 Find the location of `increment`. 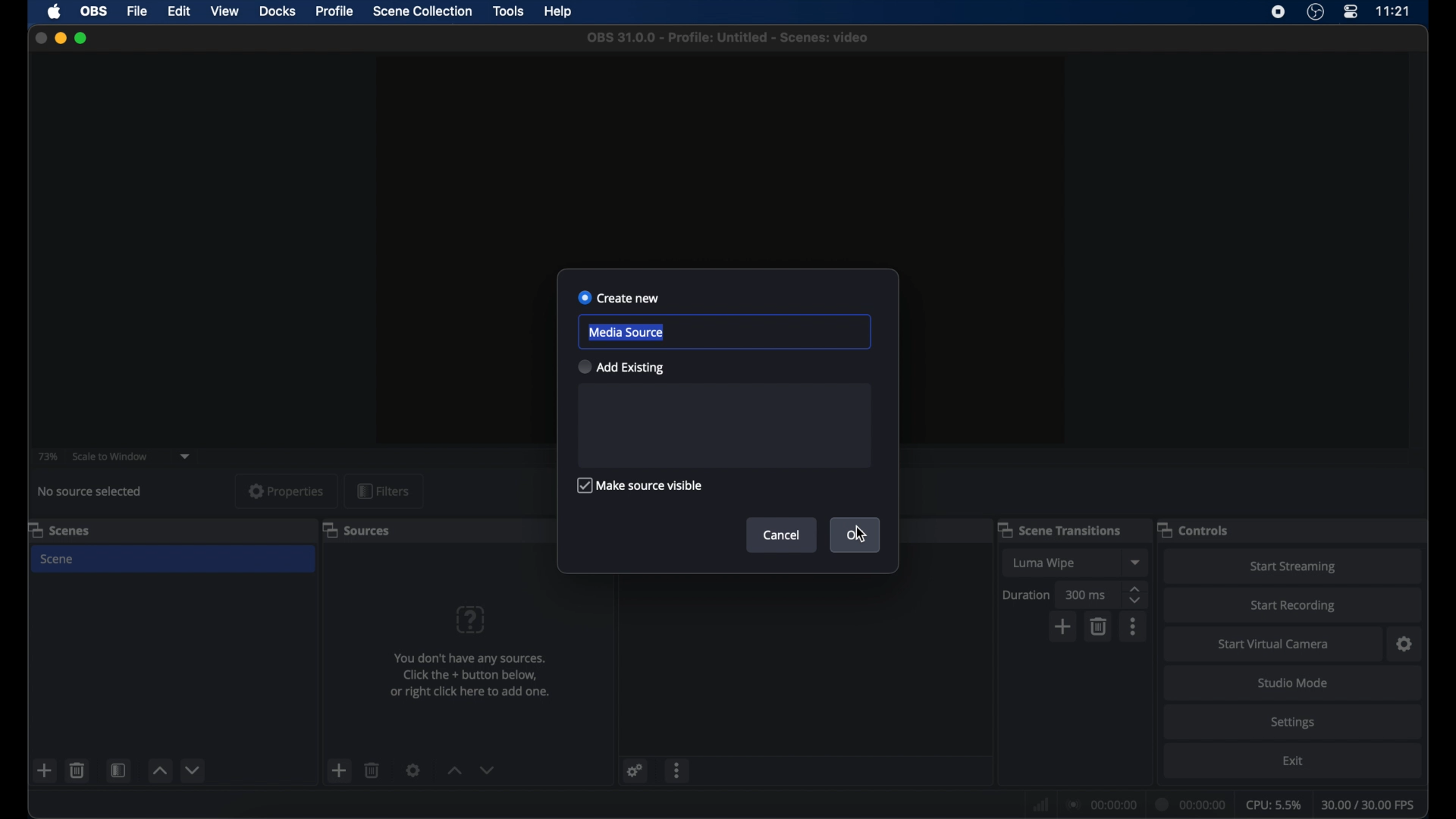

increment is located at coordinates (454, 771).